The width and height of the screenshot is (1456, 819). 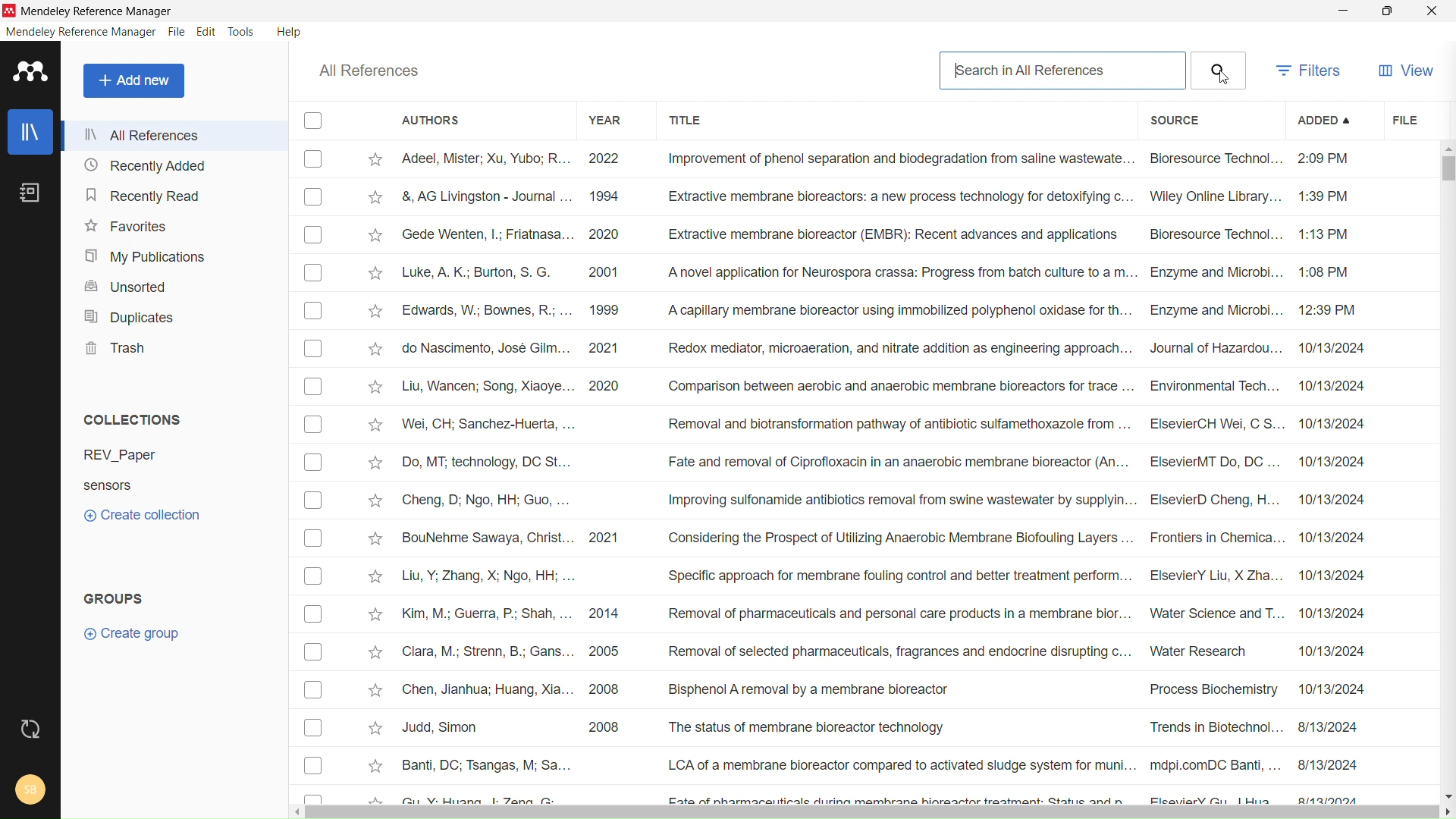 What do you see at coordinates (376, 538) in the screenshot?
I see `Add to favorites` at bounding box center [376, 538].